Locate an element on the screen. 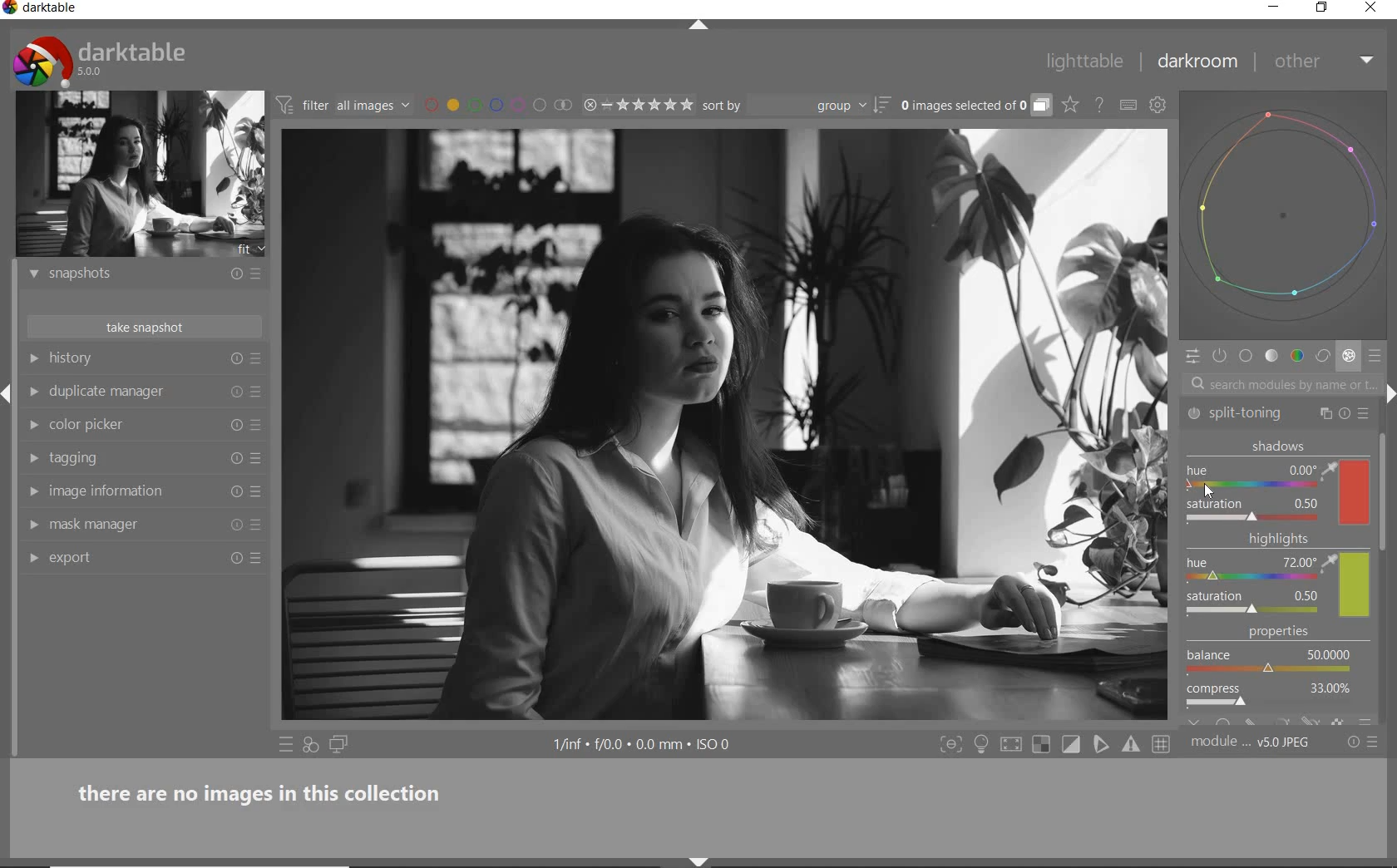  multiple instance actions is located at coordinates (1325, 412).